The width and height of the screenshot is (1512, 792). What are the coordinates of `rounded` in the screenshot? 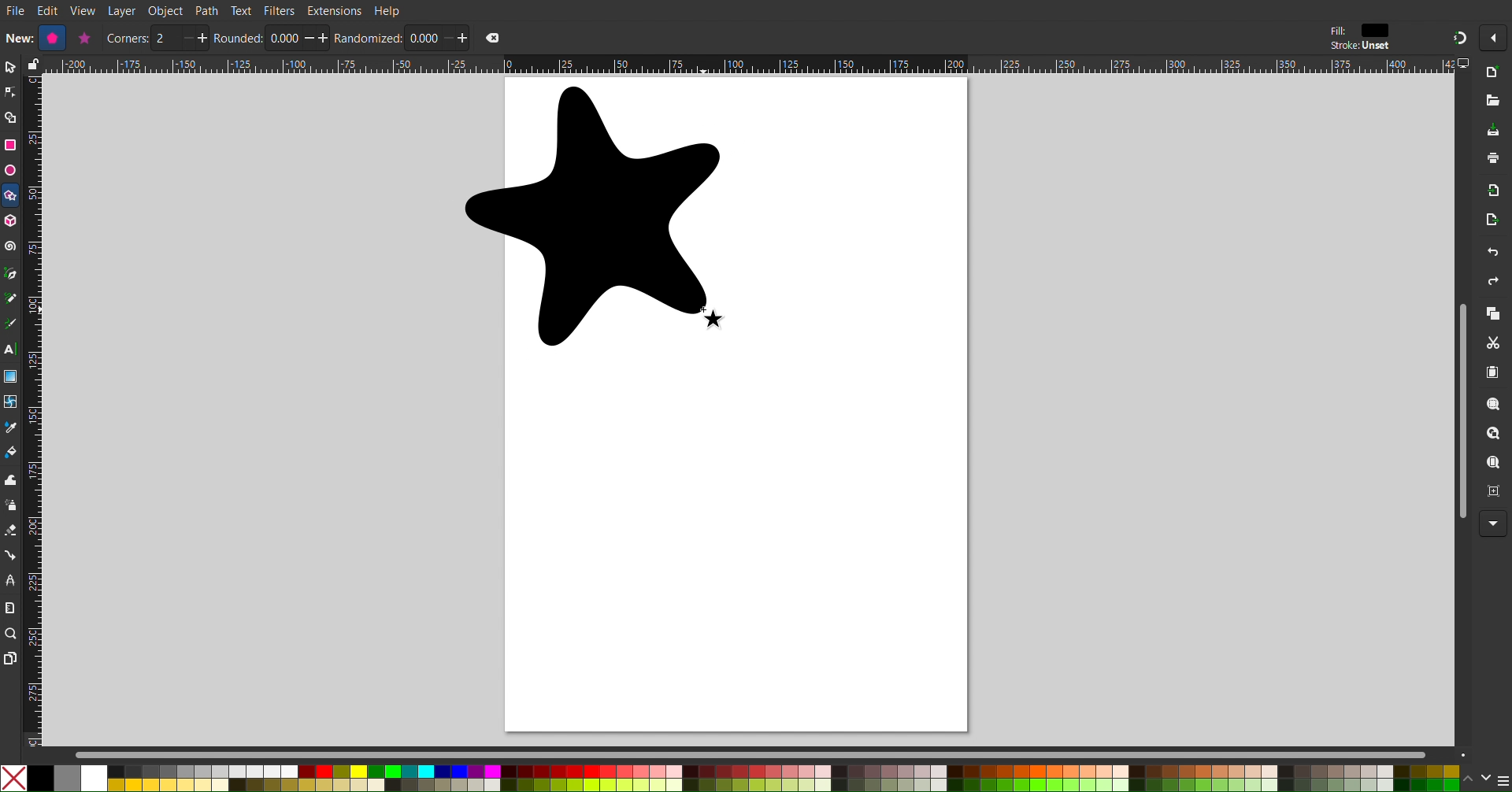 It's located at (239, 38).